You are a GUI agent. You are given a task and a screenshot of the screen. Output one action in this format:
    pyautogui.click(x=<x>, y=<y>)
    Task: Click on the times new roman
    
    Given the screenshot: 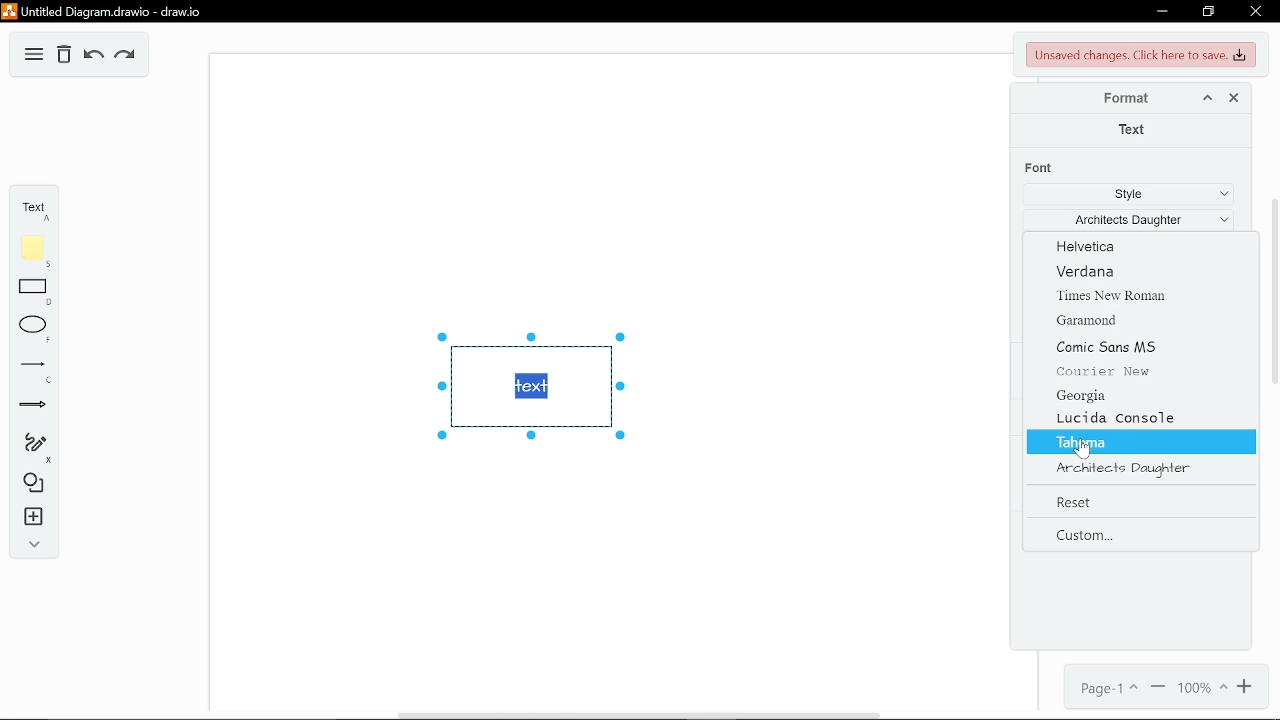 What is the action you would take?
    pyautogui.click(x=1126, y=294)
    